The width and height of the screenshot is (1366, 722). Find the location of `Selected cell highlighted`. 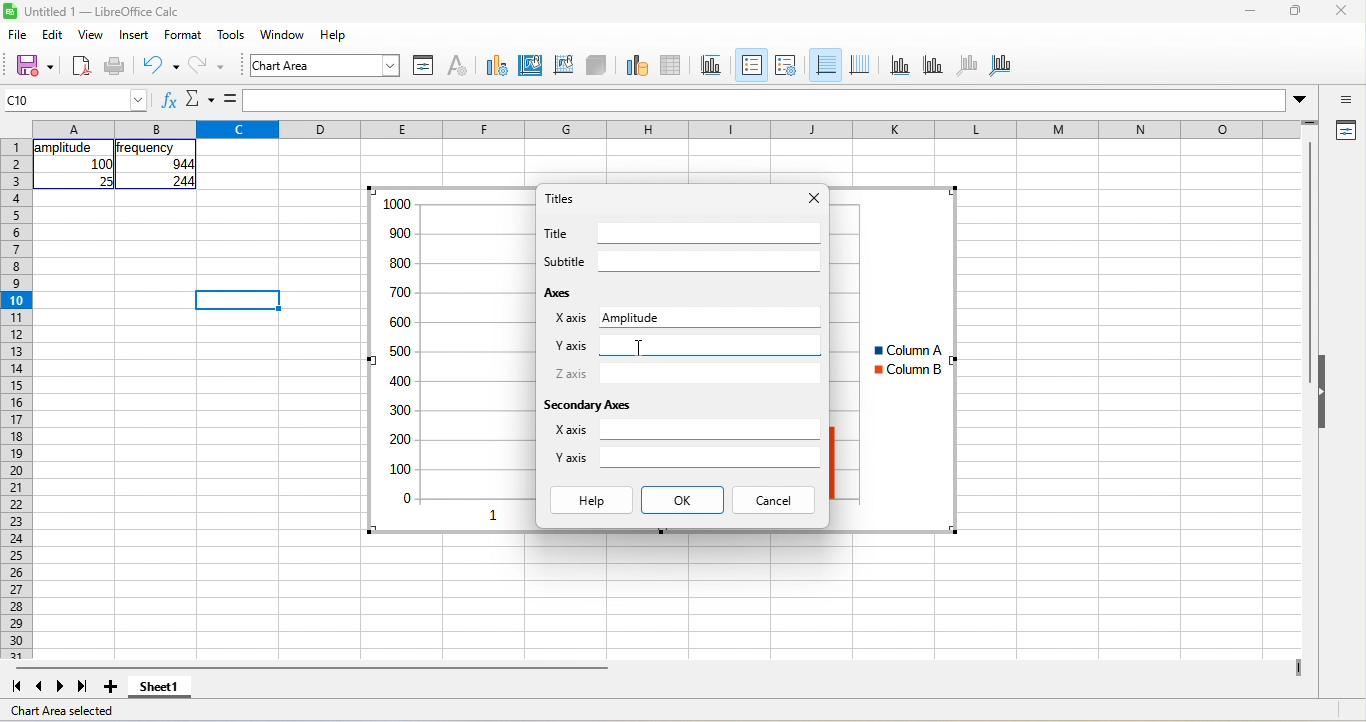

Selected cell highlighted is located at coordinates (237, 300).